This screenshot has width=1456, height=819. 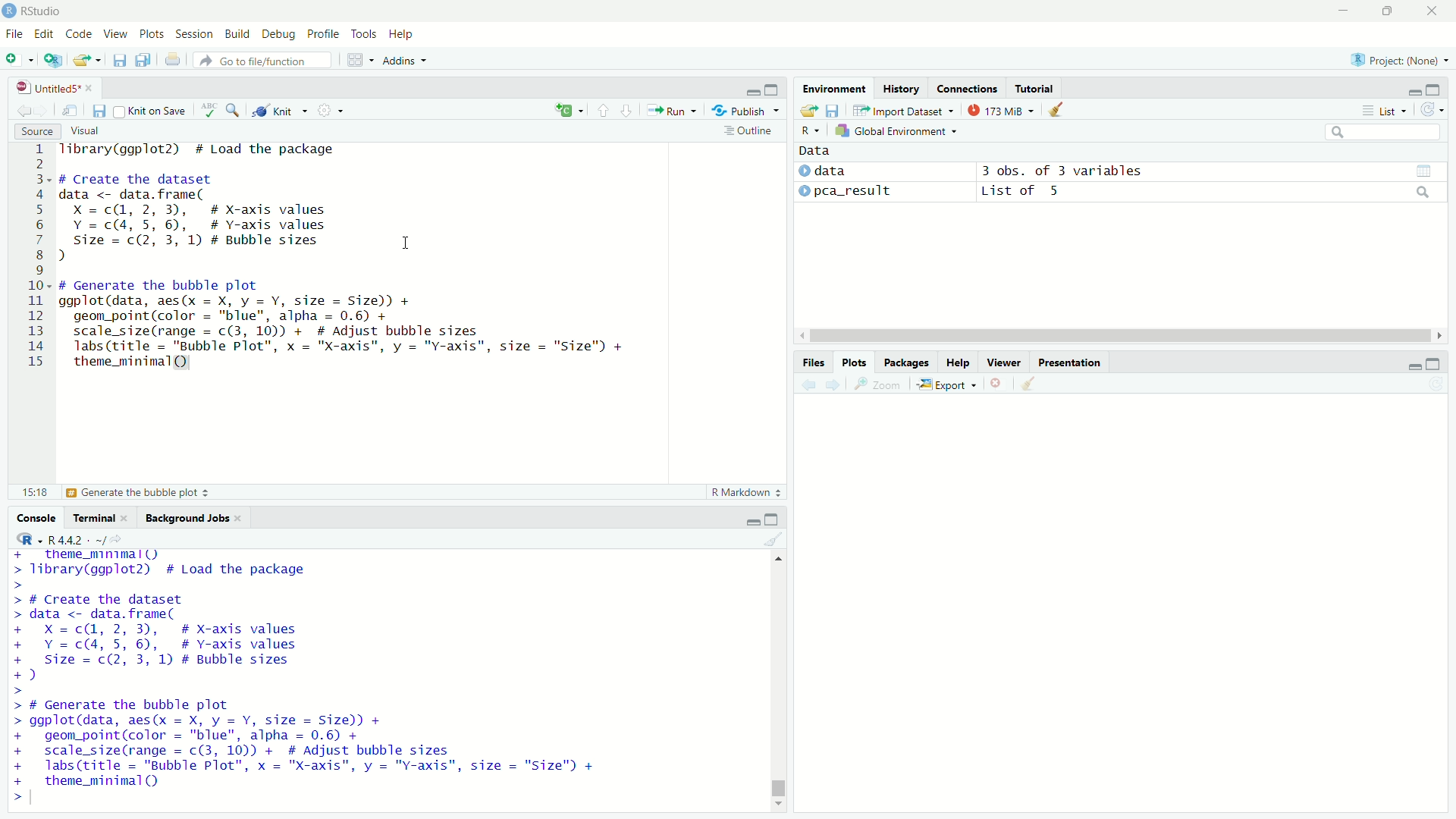 What do you see at coordinates (1121, 337) in the screenshot?
I see `horizontal scrollbar` at bounding box center [1121, 337].